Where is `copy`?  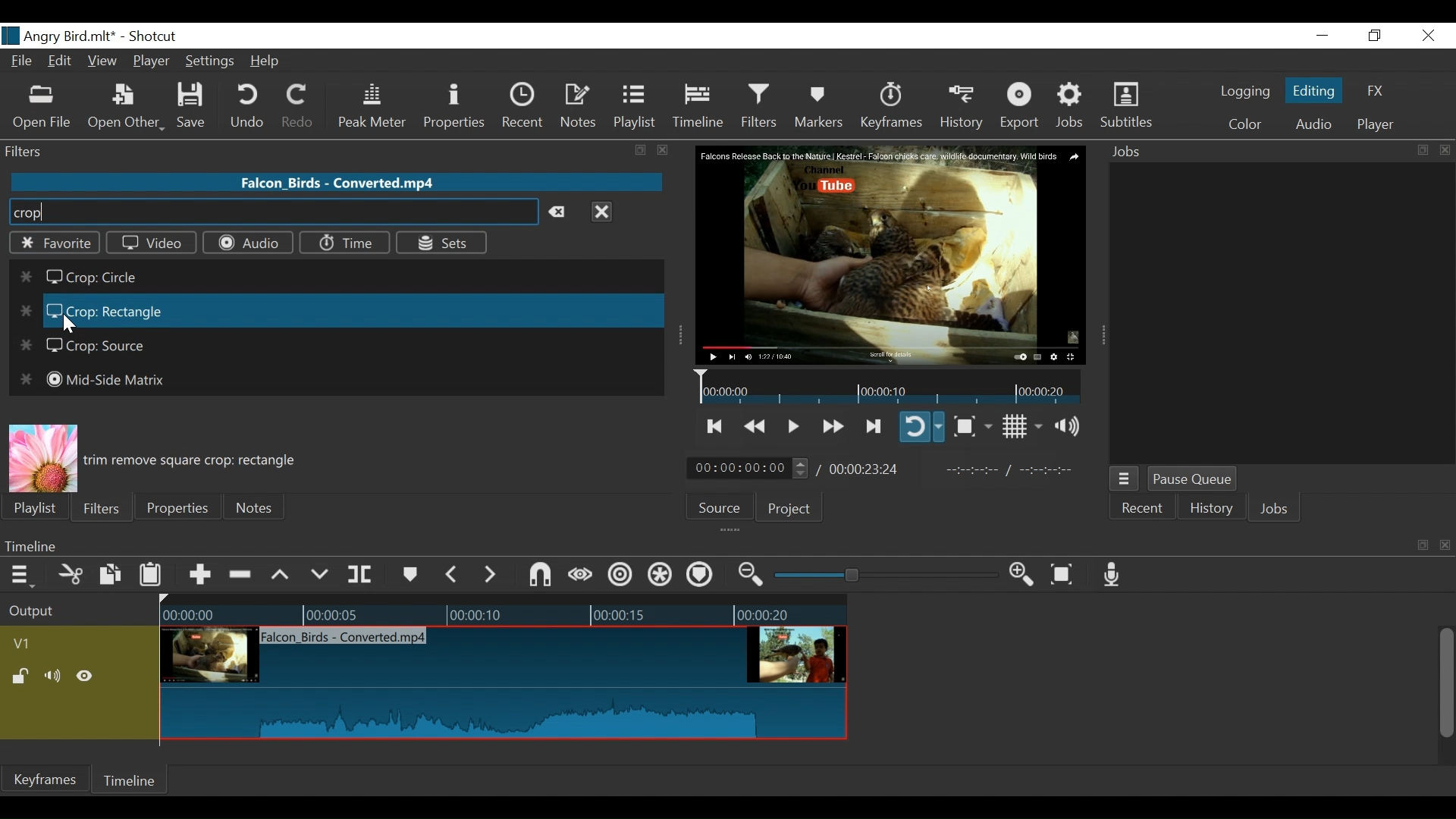 copy is located at coordinates (1423, 545).